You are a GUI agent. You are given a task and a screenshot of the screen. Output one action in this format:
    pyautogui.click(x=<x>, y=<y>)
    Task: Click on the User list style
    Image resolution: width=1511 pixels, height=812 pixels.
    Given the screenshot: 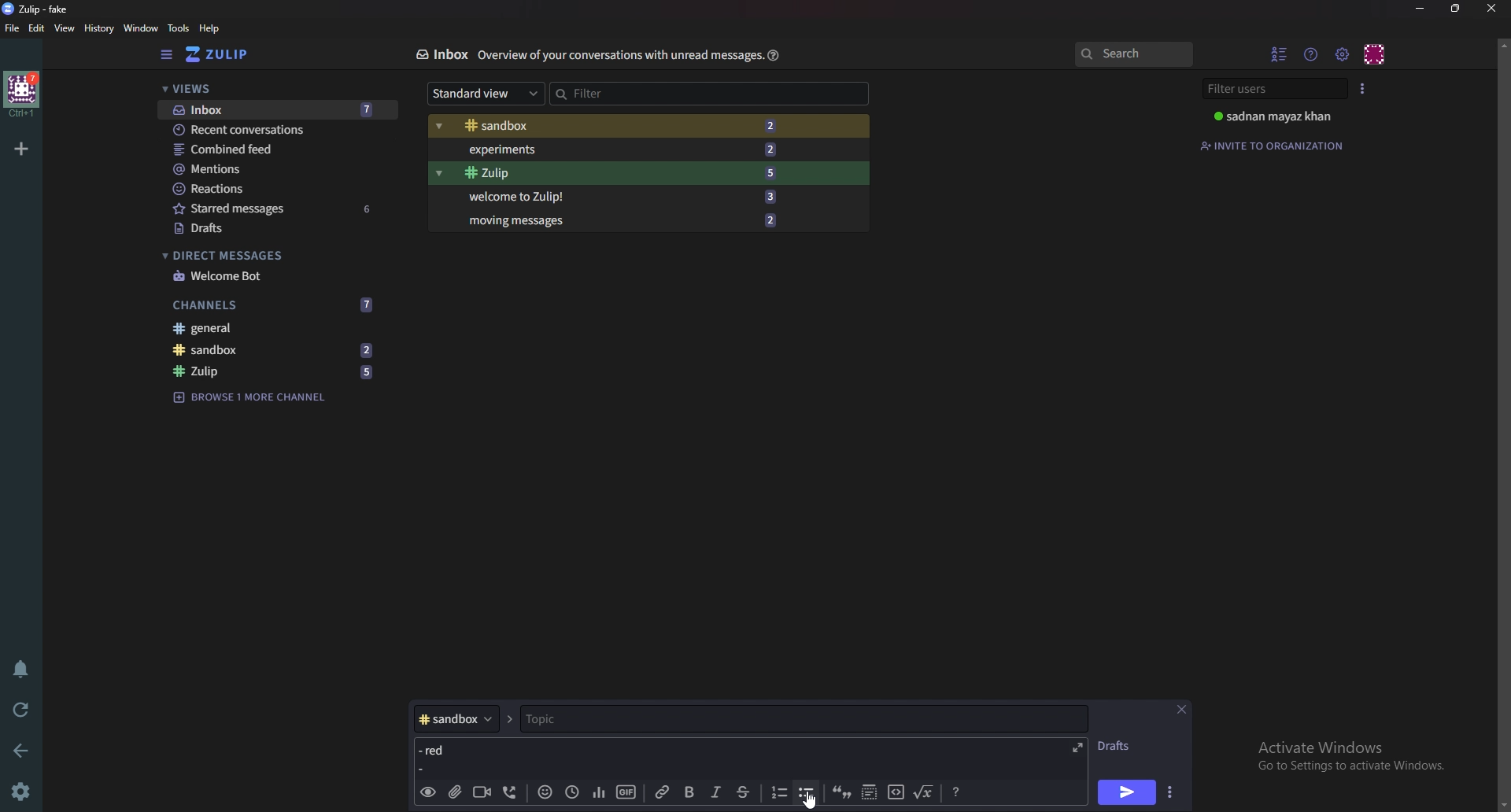 What is the action you would take?
    pyautogui.click(x=1362, y=88)
    